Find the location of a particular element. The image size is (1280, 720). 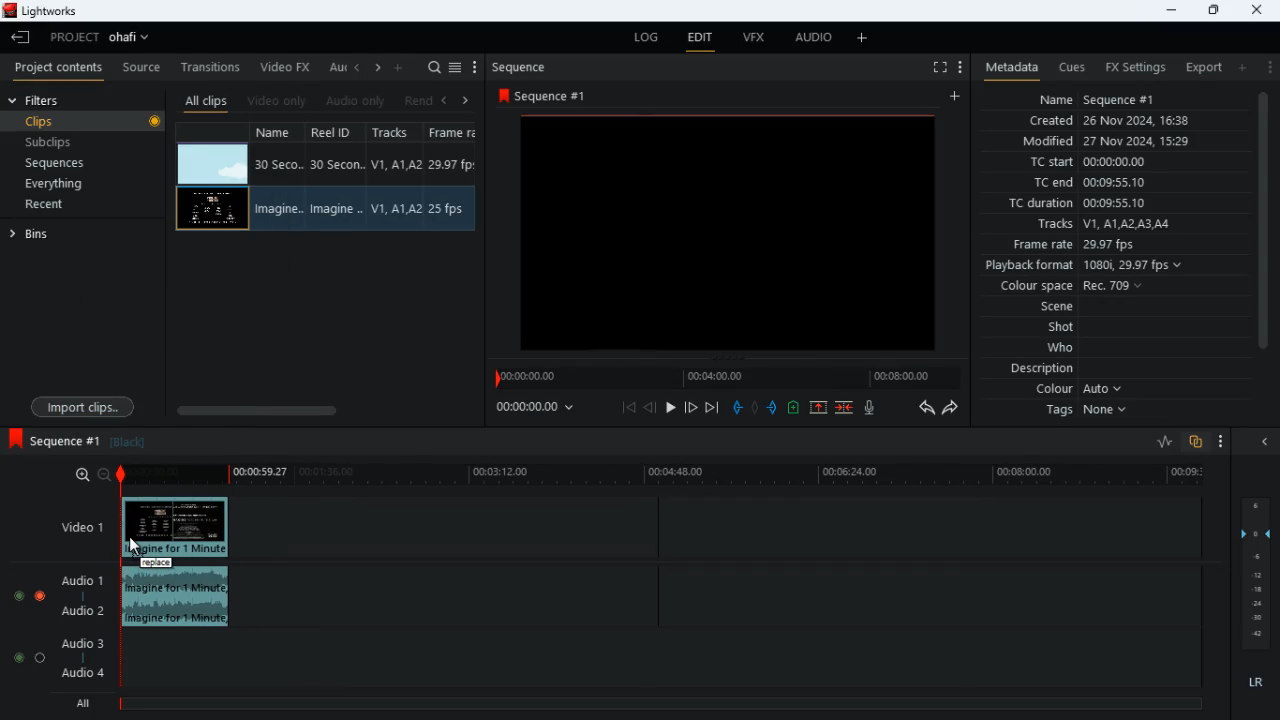

filters is located at coordinates (38, 100).